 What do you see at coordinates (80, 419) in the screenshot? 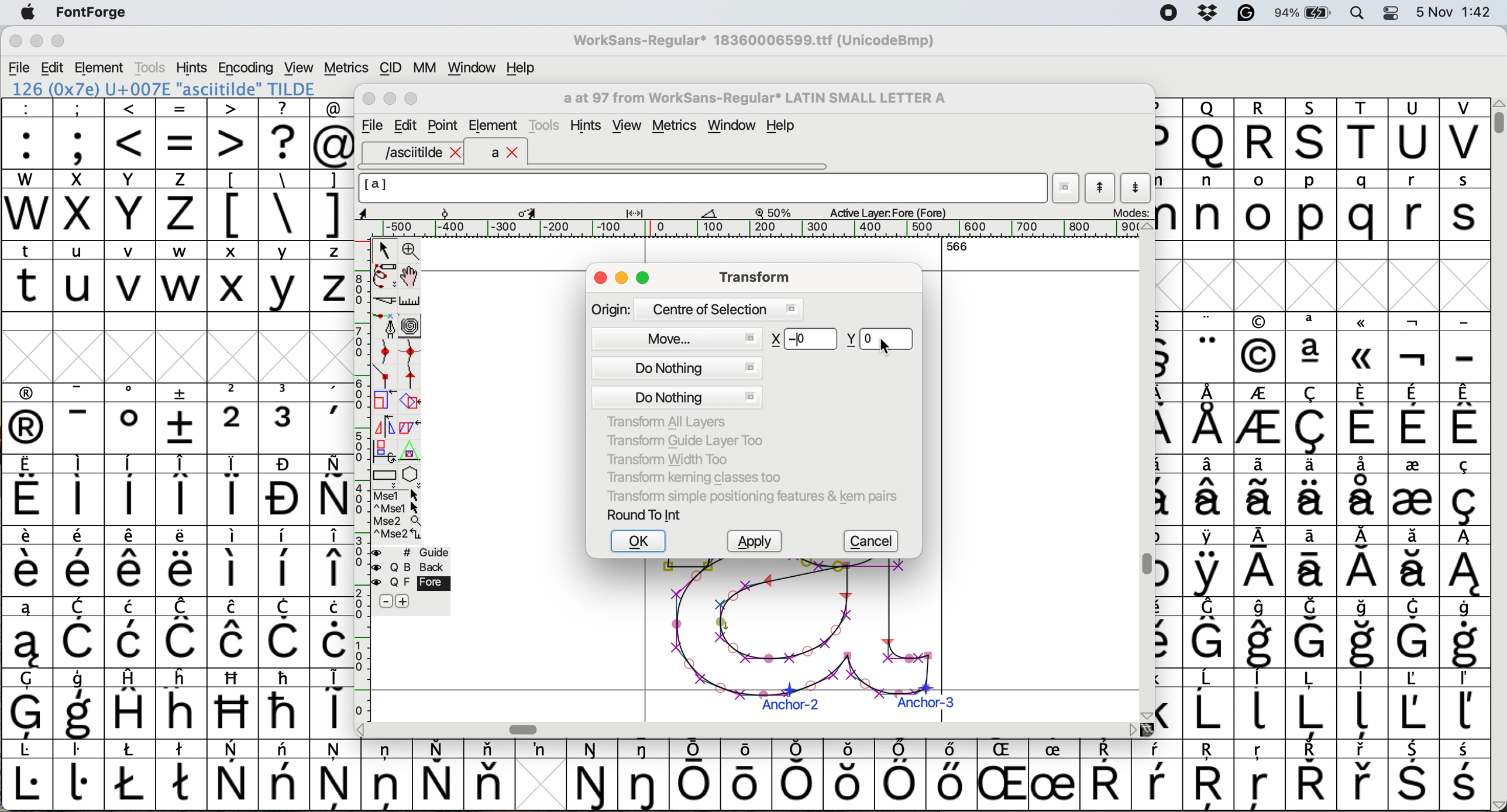
I see `symbol` at bounding box center [80, 419].